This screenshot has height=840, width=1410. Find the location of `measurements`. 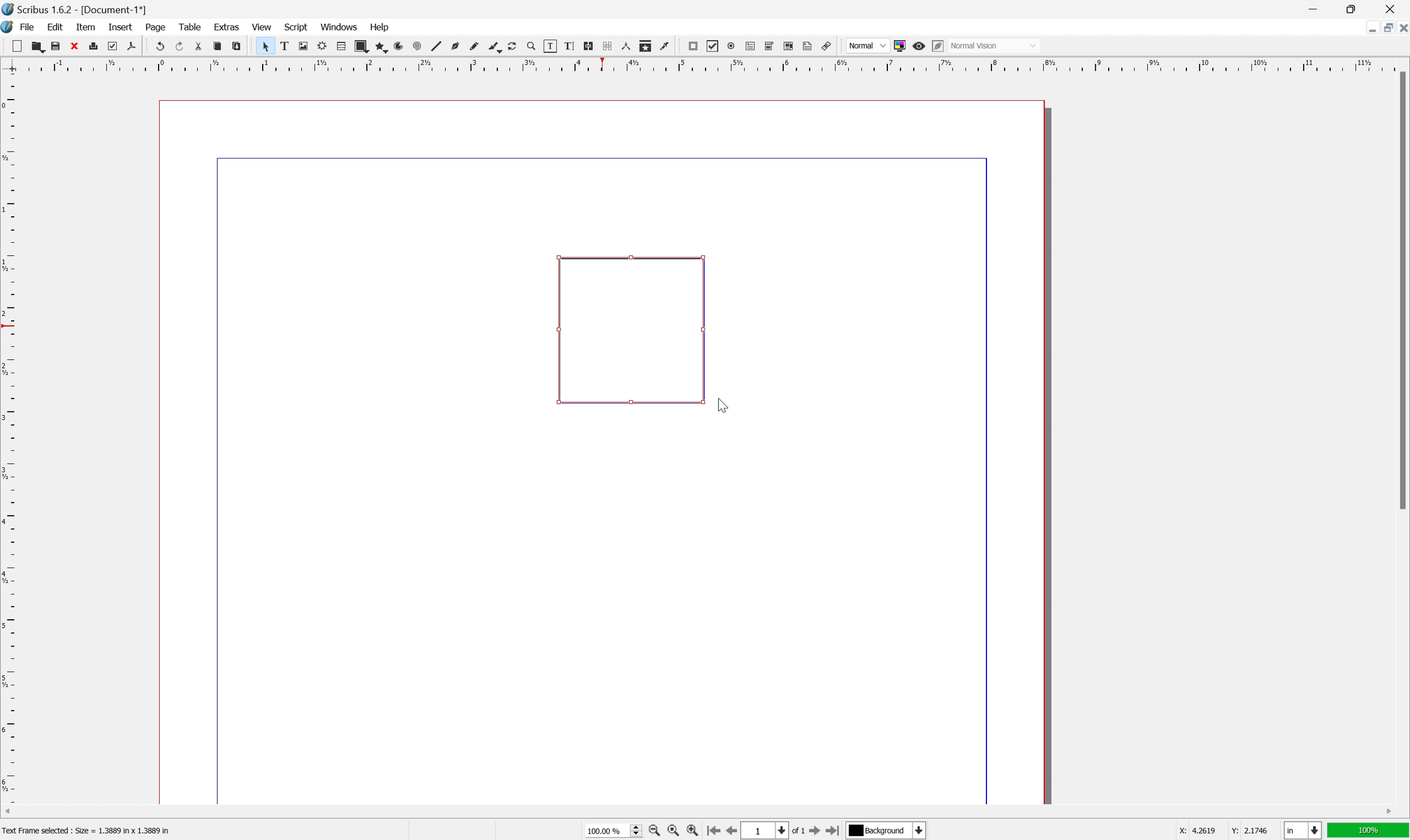

measurements is located at coordinates (626, 46).